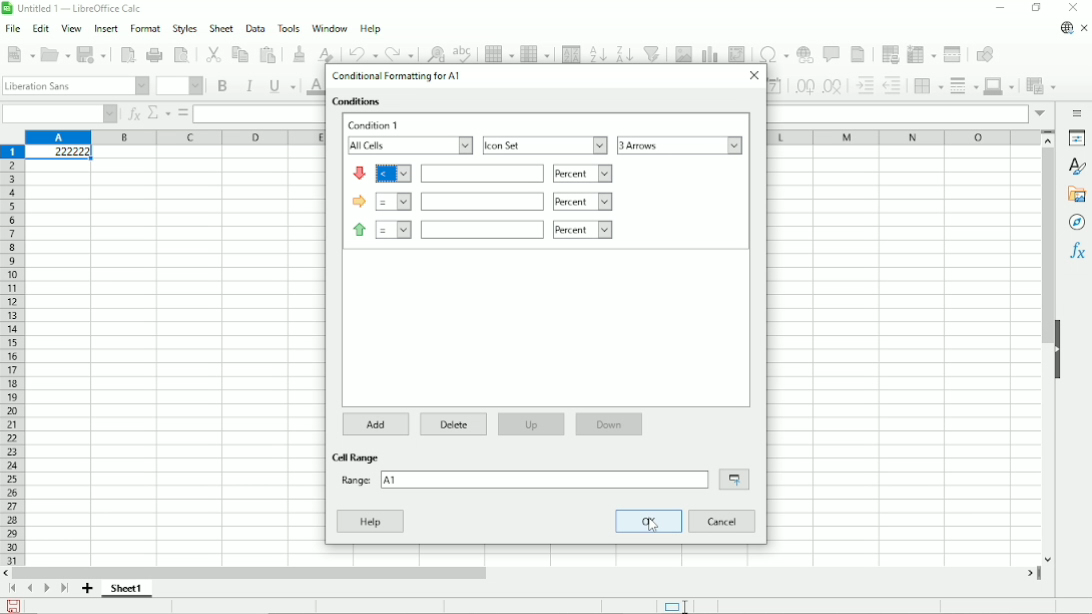 The width and height of the screenshot is (1092, 614). What do you see at coordinates (358, 102) in the screenshot?
I see `Conditions` at bounding box center [358, 102].